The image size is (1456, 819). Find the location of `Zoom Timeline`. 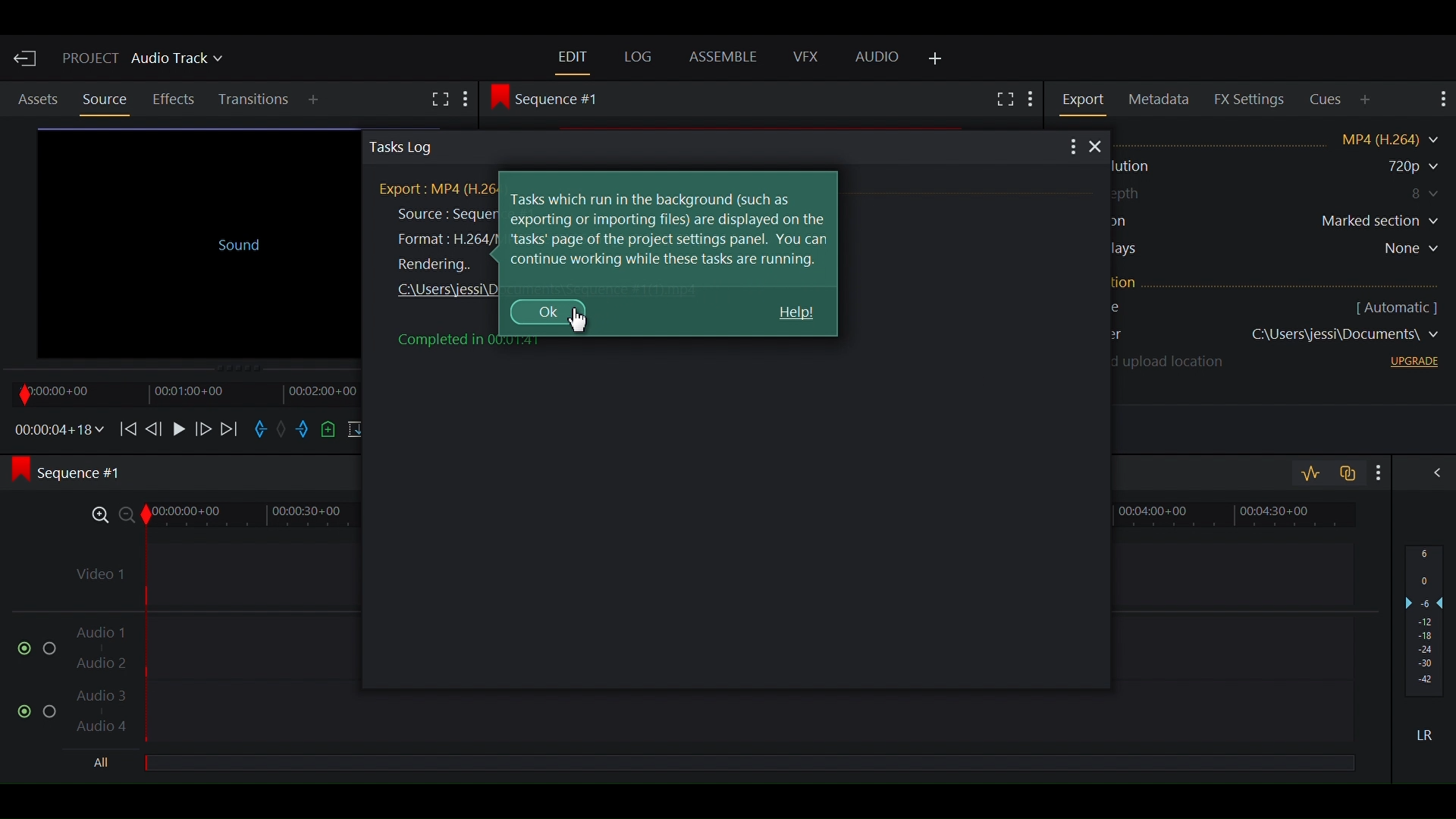

Zoom Timeline is located at coordinates (713, 513).